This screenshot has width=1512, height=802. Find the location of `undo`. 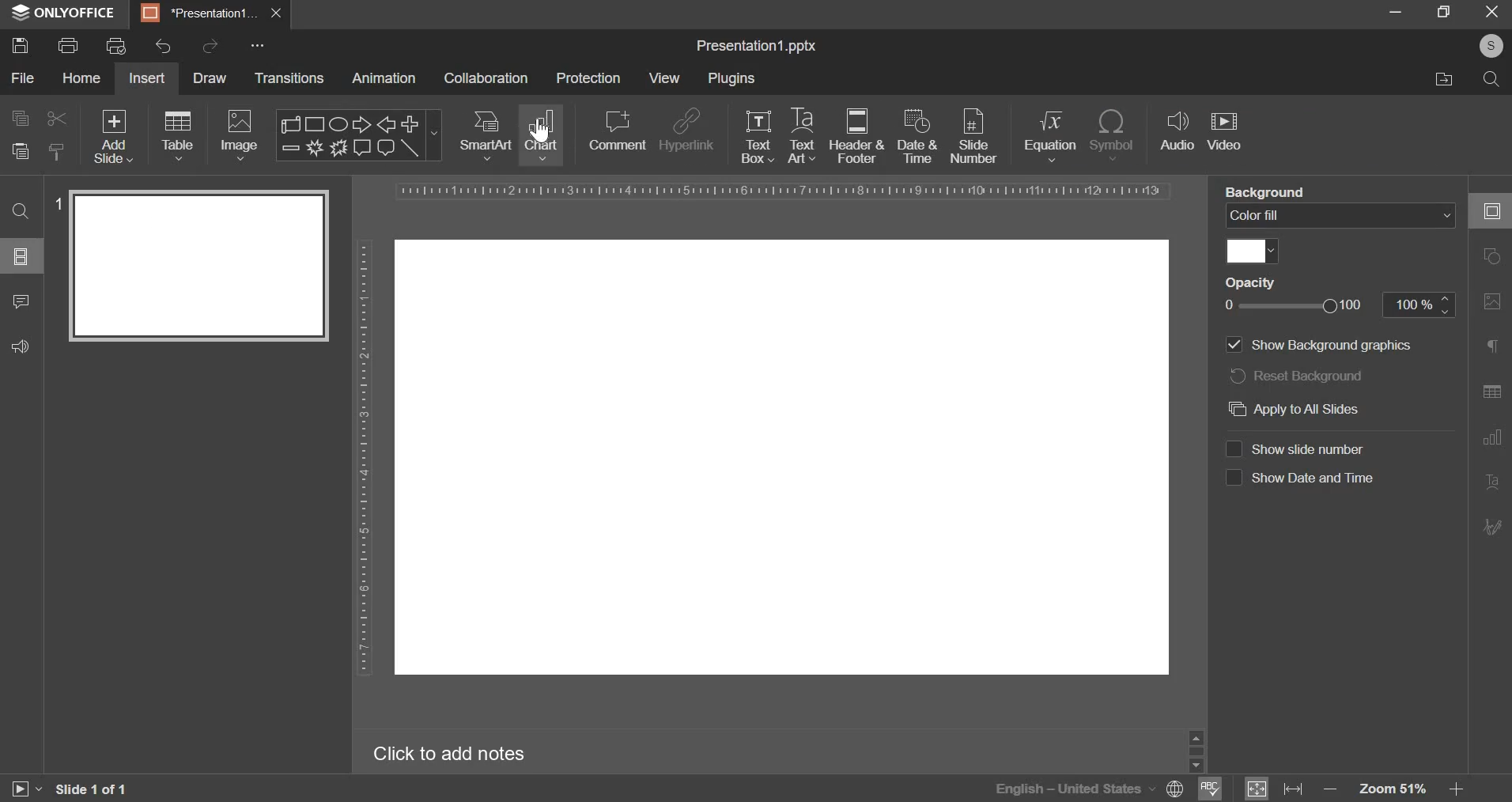

undo is located at coordinates (164, 47).